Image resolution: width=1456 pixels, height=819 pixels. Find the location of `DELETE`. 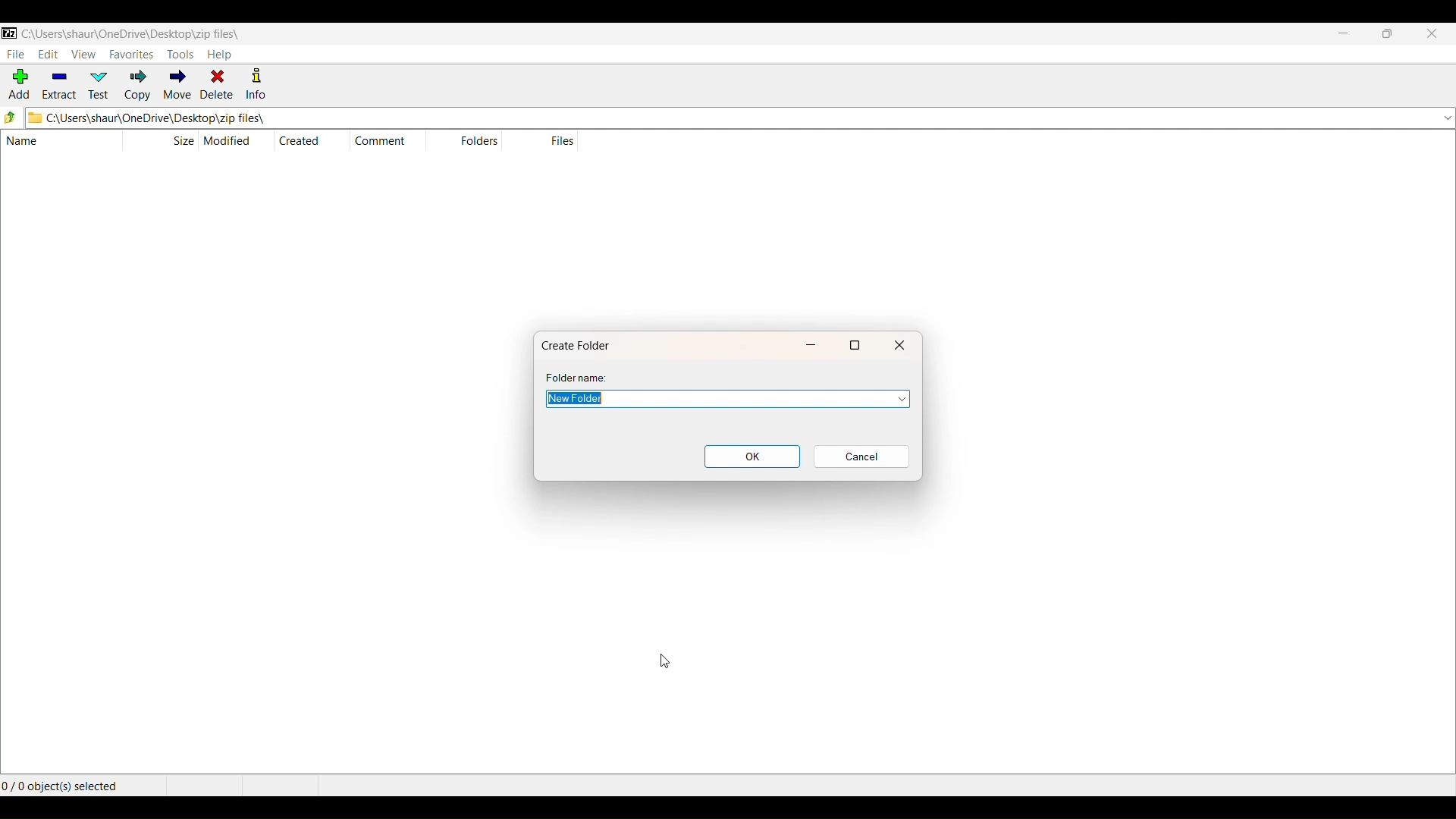

DELETE is located at coordinates (217, 85).